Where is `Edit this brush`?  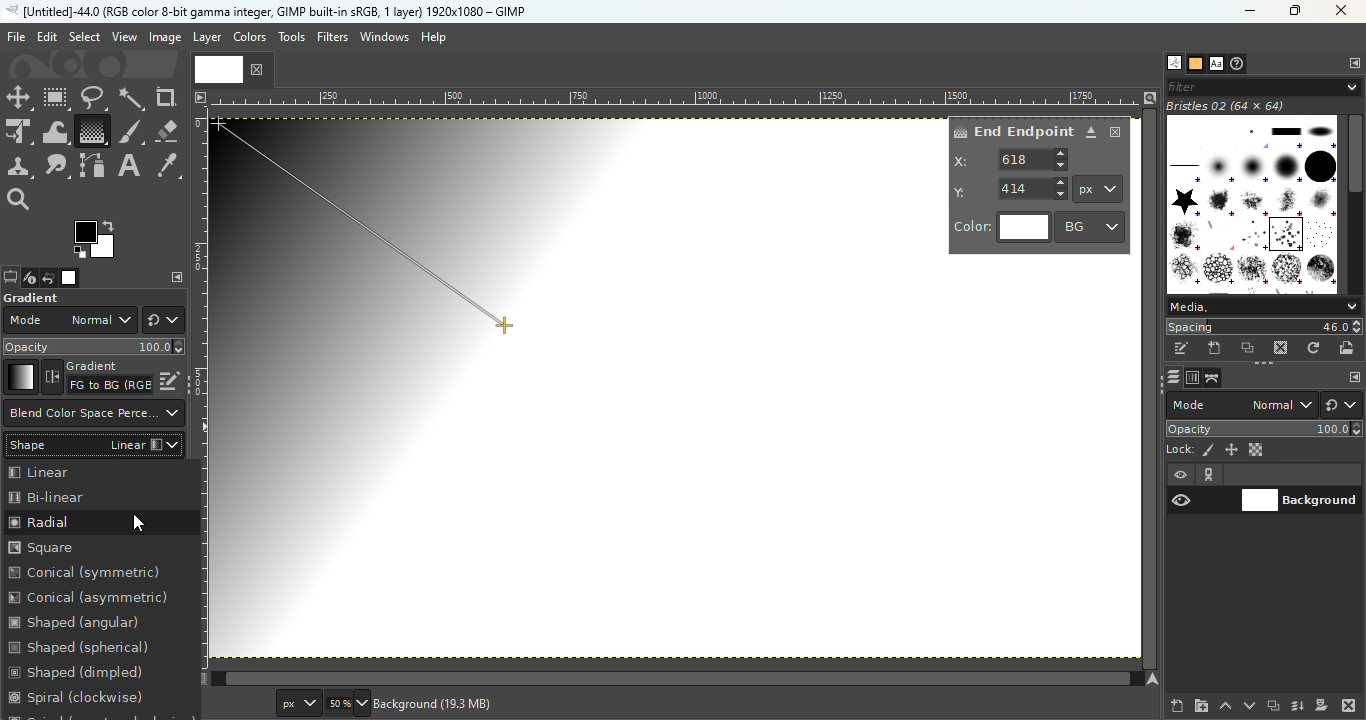 Edit this brush is located at coordinates (1181, 349).